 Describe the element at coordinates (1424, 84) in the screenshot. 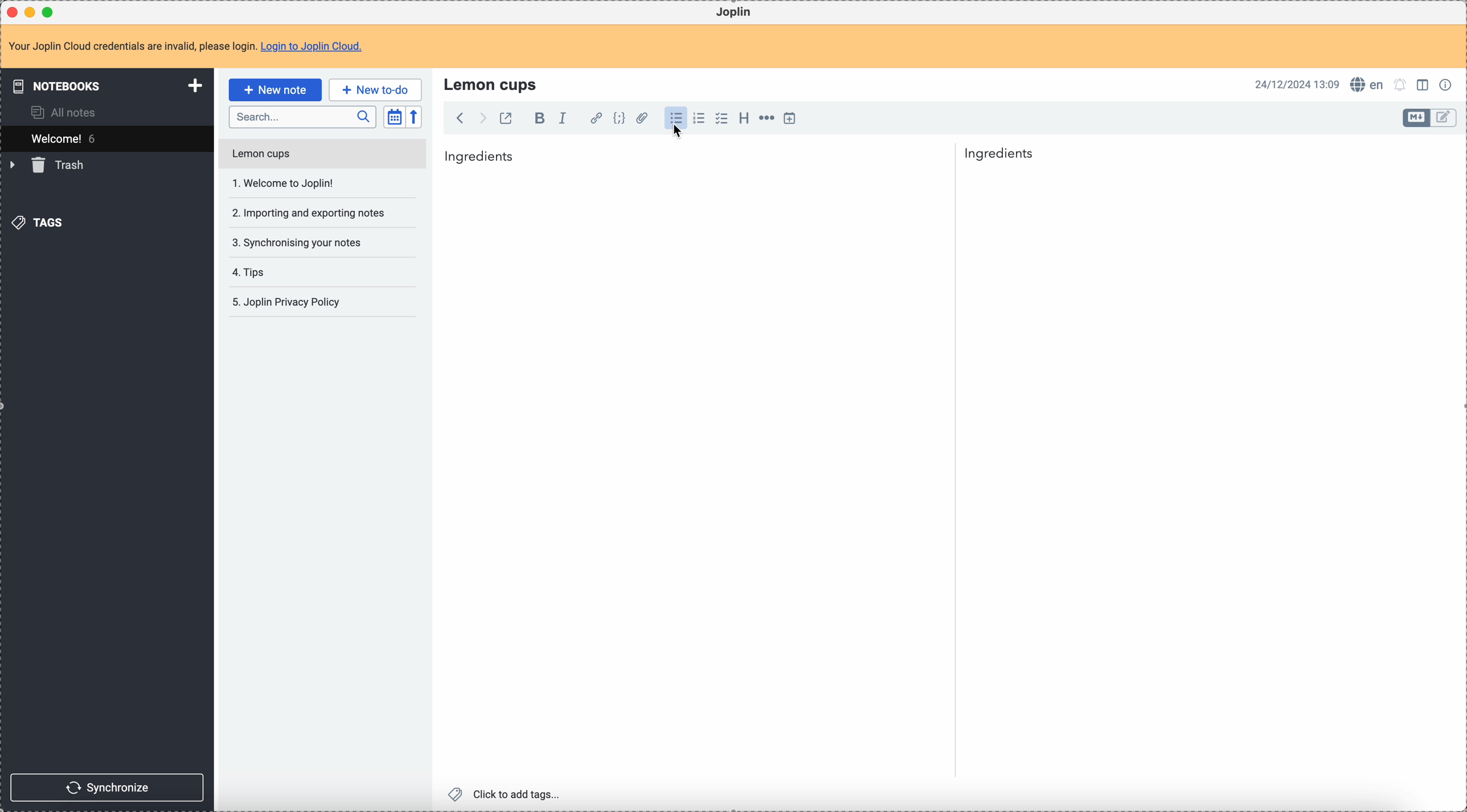

I see `toggle edit layout` at that location.